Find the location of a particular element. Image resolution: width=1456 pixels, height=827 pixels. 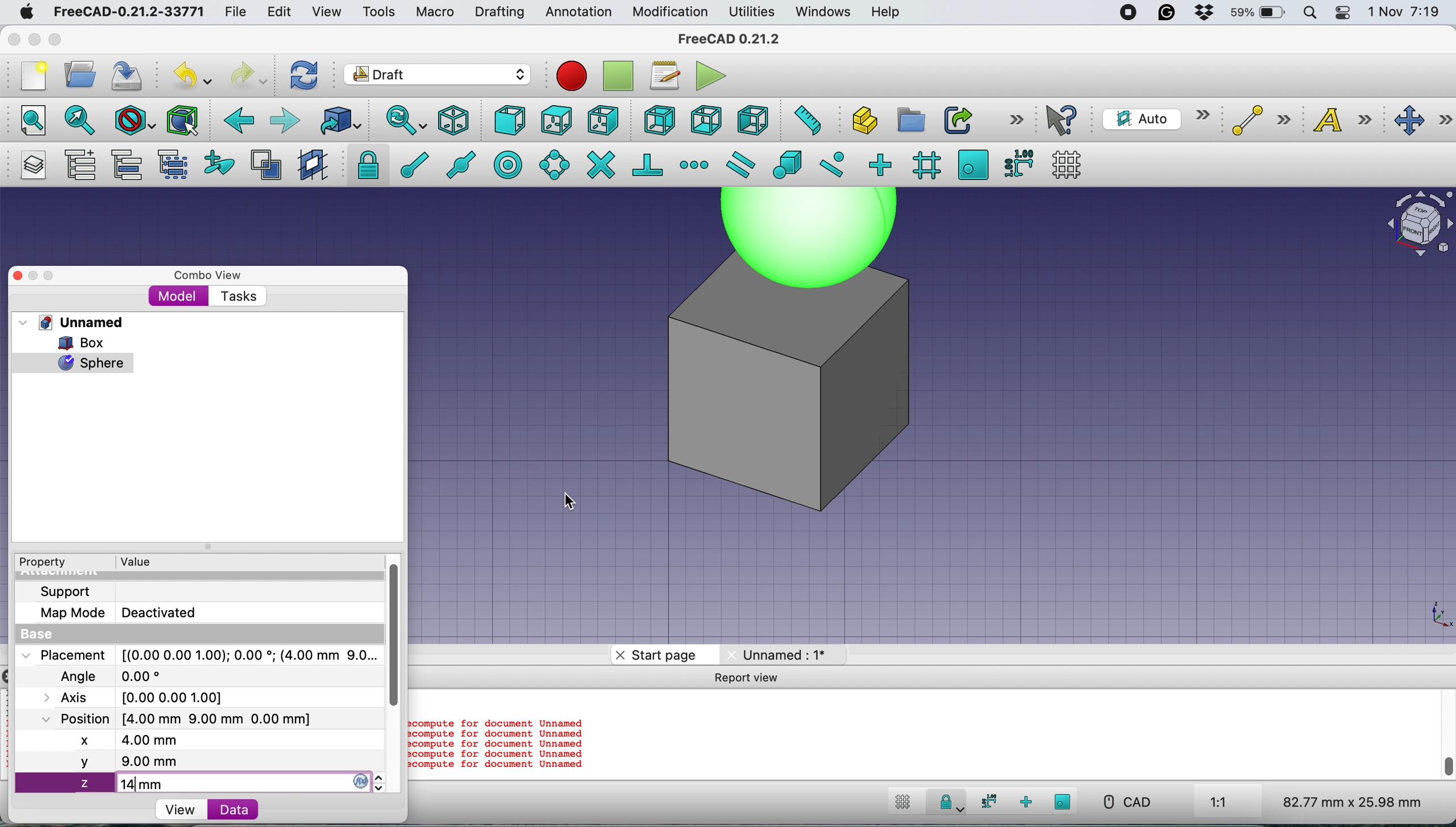

angle is located at coordinates (116, 678).